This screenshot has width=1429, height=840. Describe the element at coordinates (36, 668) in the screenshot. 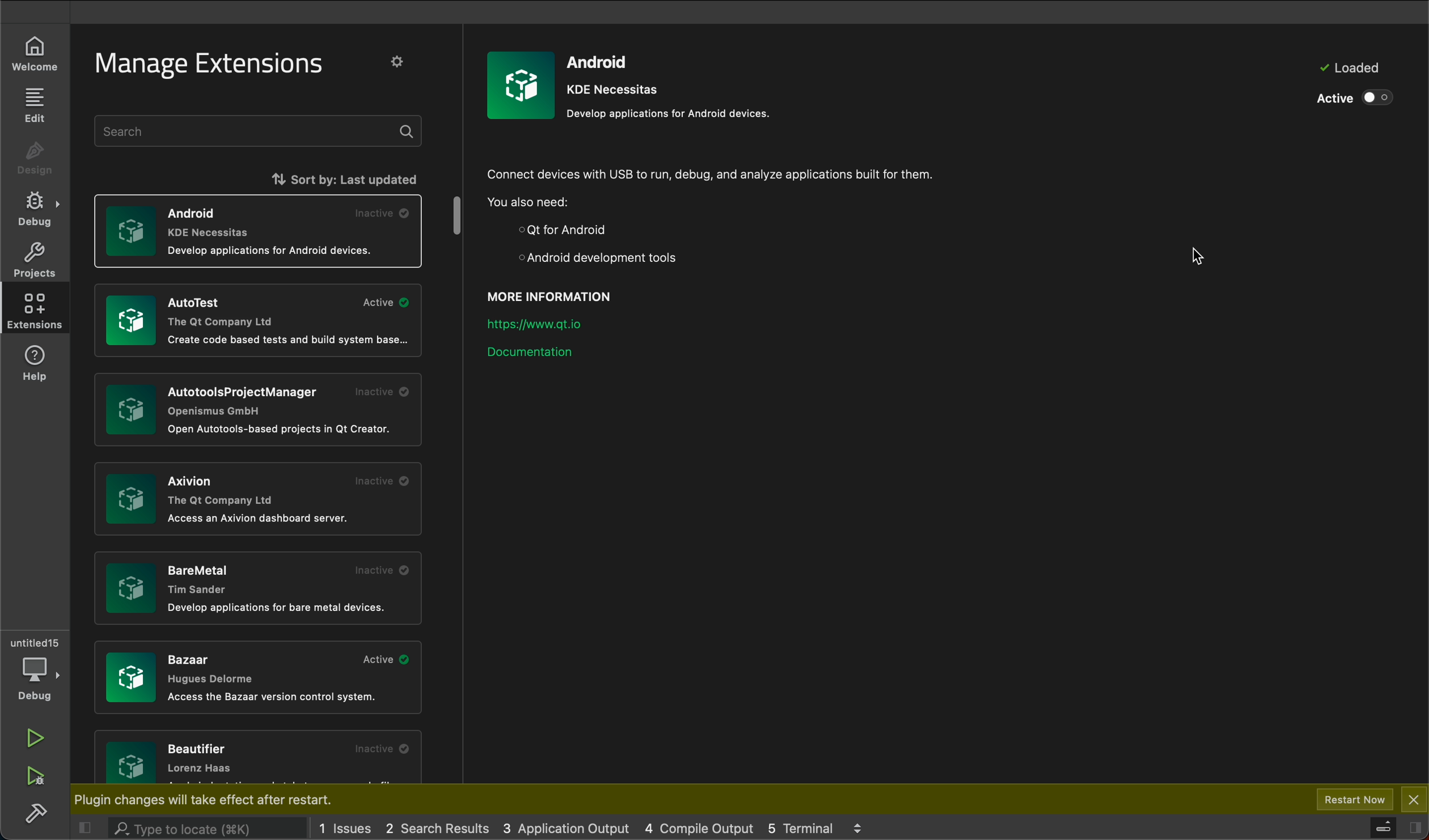

I see `debugger` at that location.